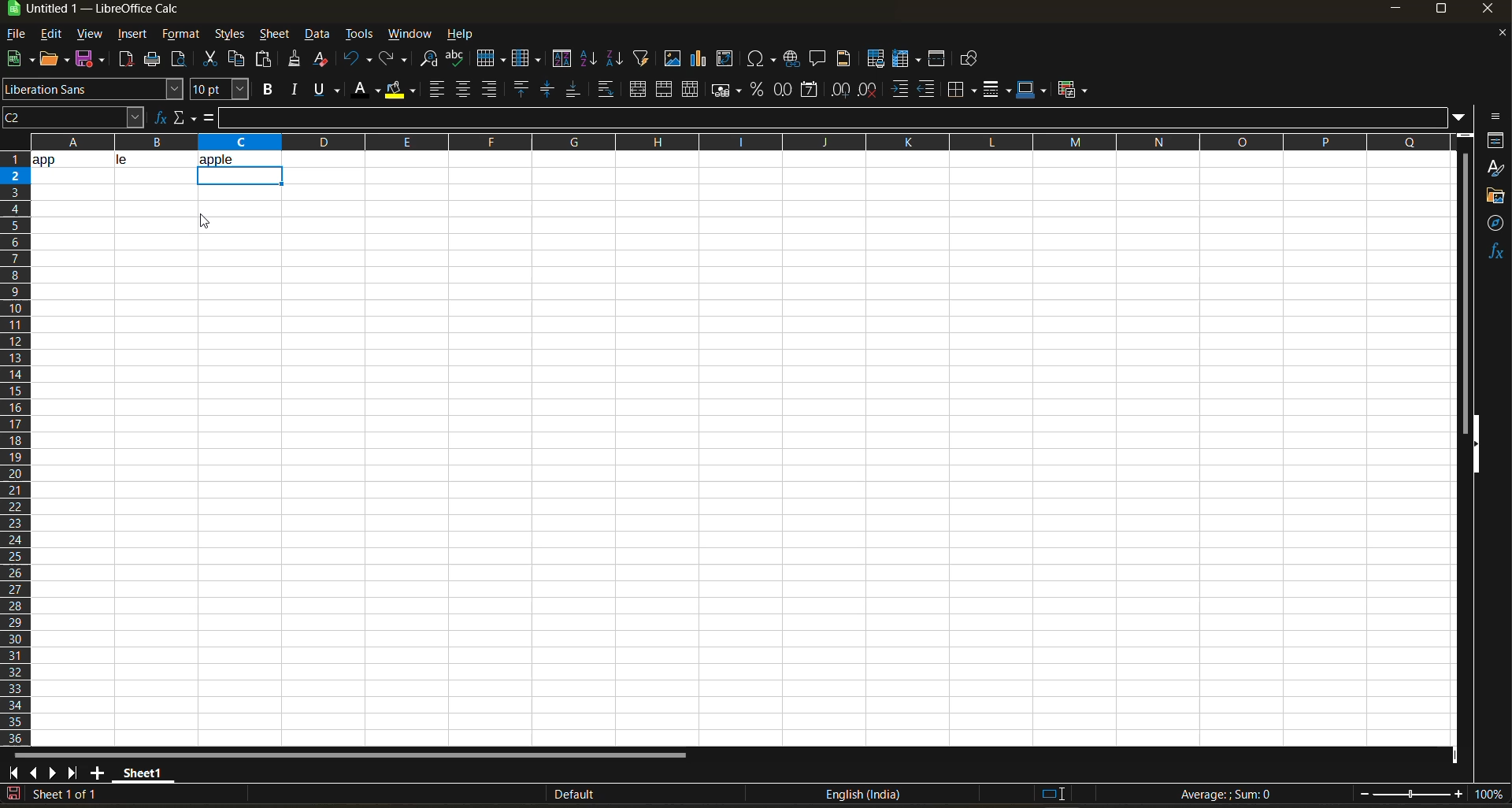 This screenshot has width=1512, height=808. Describe the element at coordinates (73, 773) in the screenshot. I see `scroll to last sheet` at that location.